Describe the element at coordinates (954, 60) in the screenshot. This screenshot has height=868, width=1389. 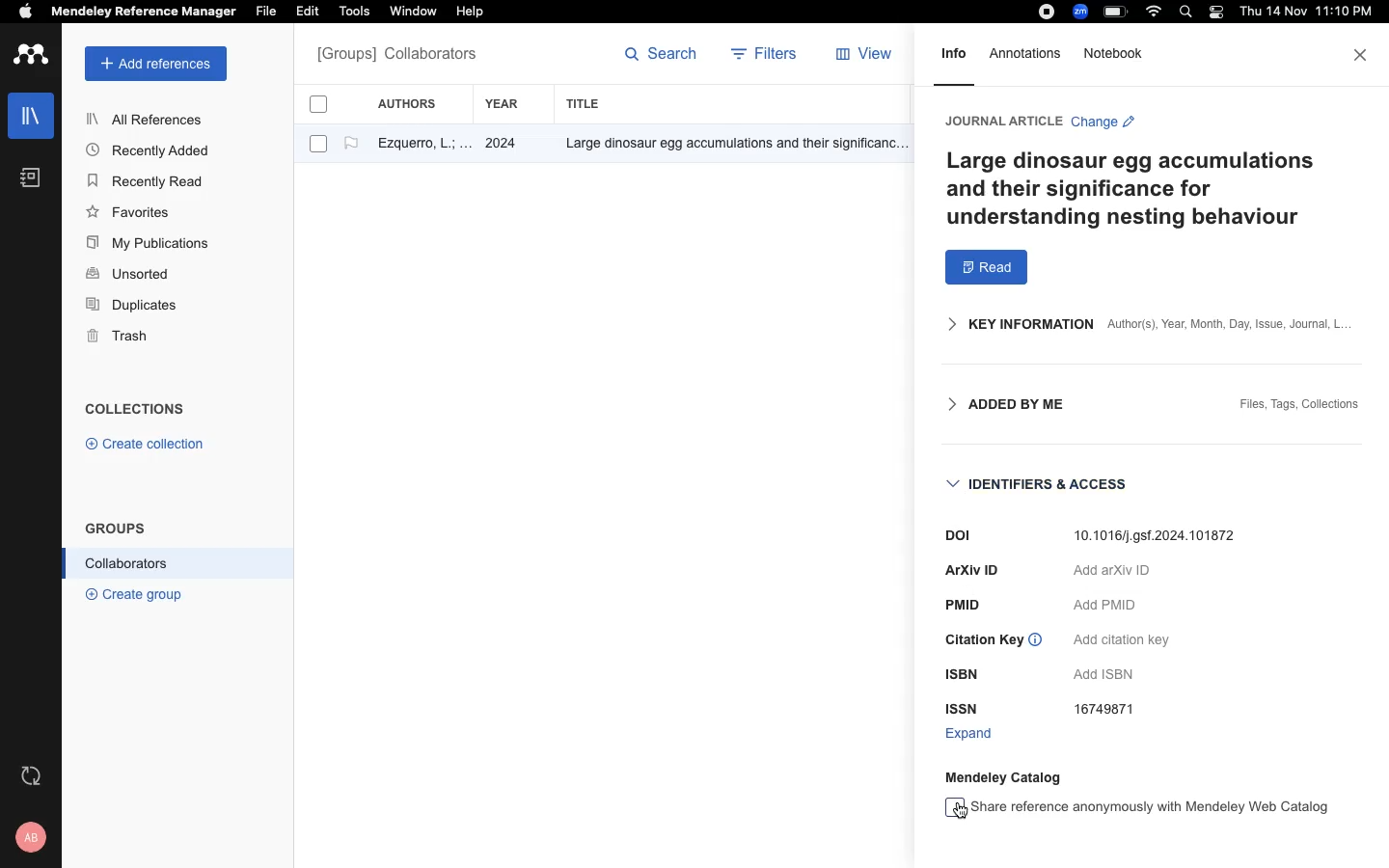
I see `info` at that location.